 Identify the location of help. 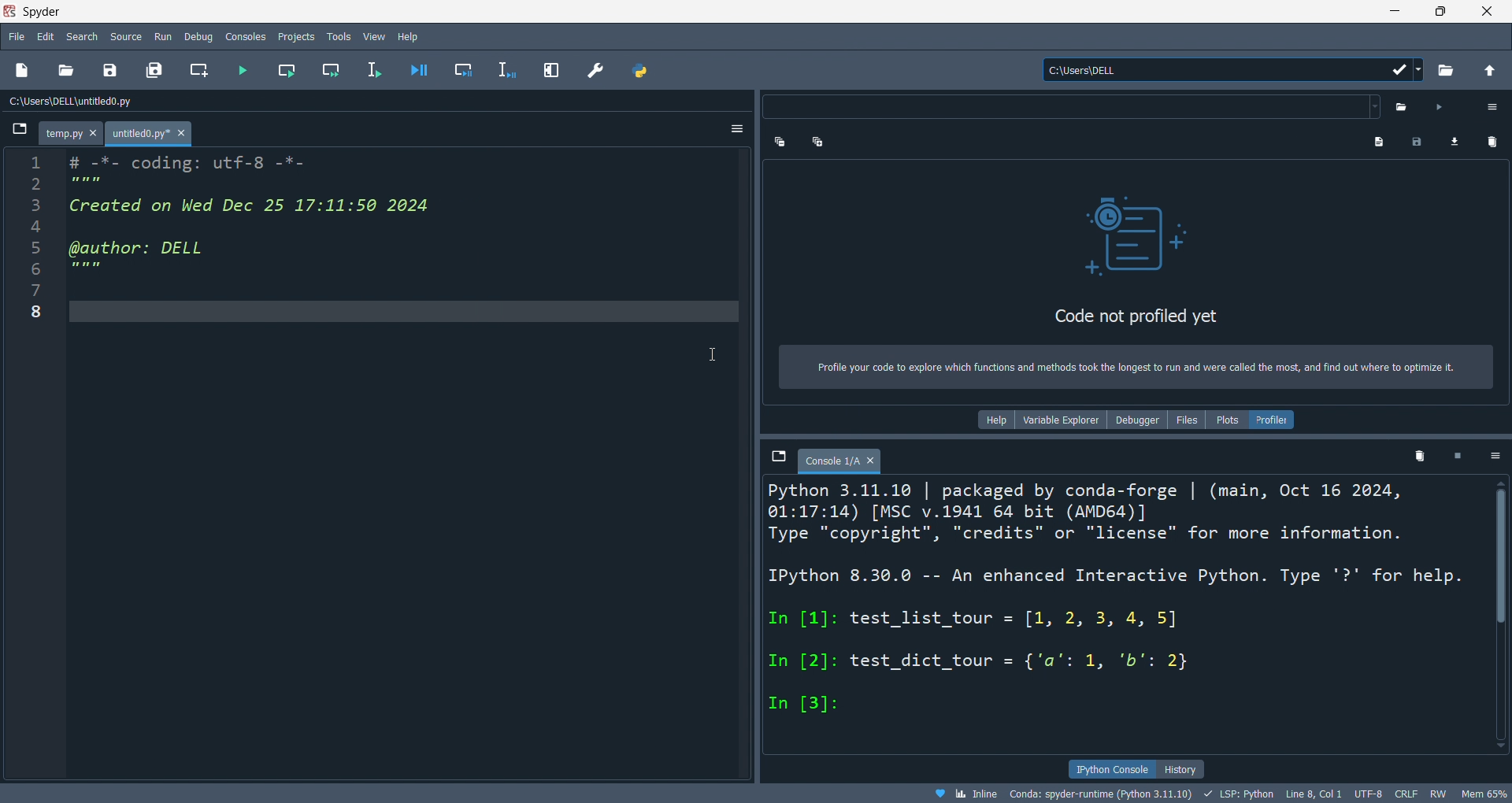
(411, 36).